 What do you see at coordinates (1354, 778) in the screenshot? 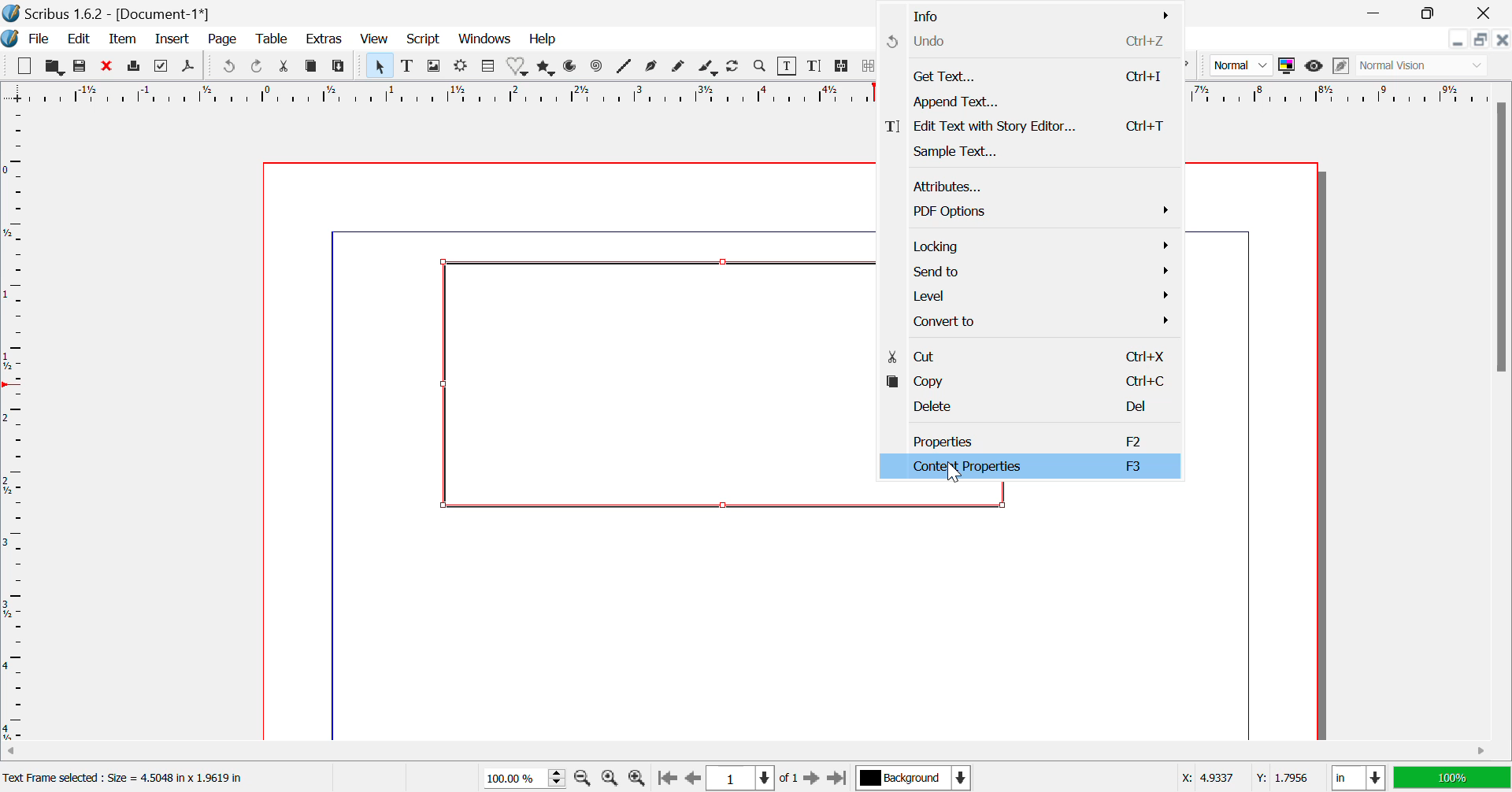
I see `in` at bounding box center [1354, 778].